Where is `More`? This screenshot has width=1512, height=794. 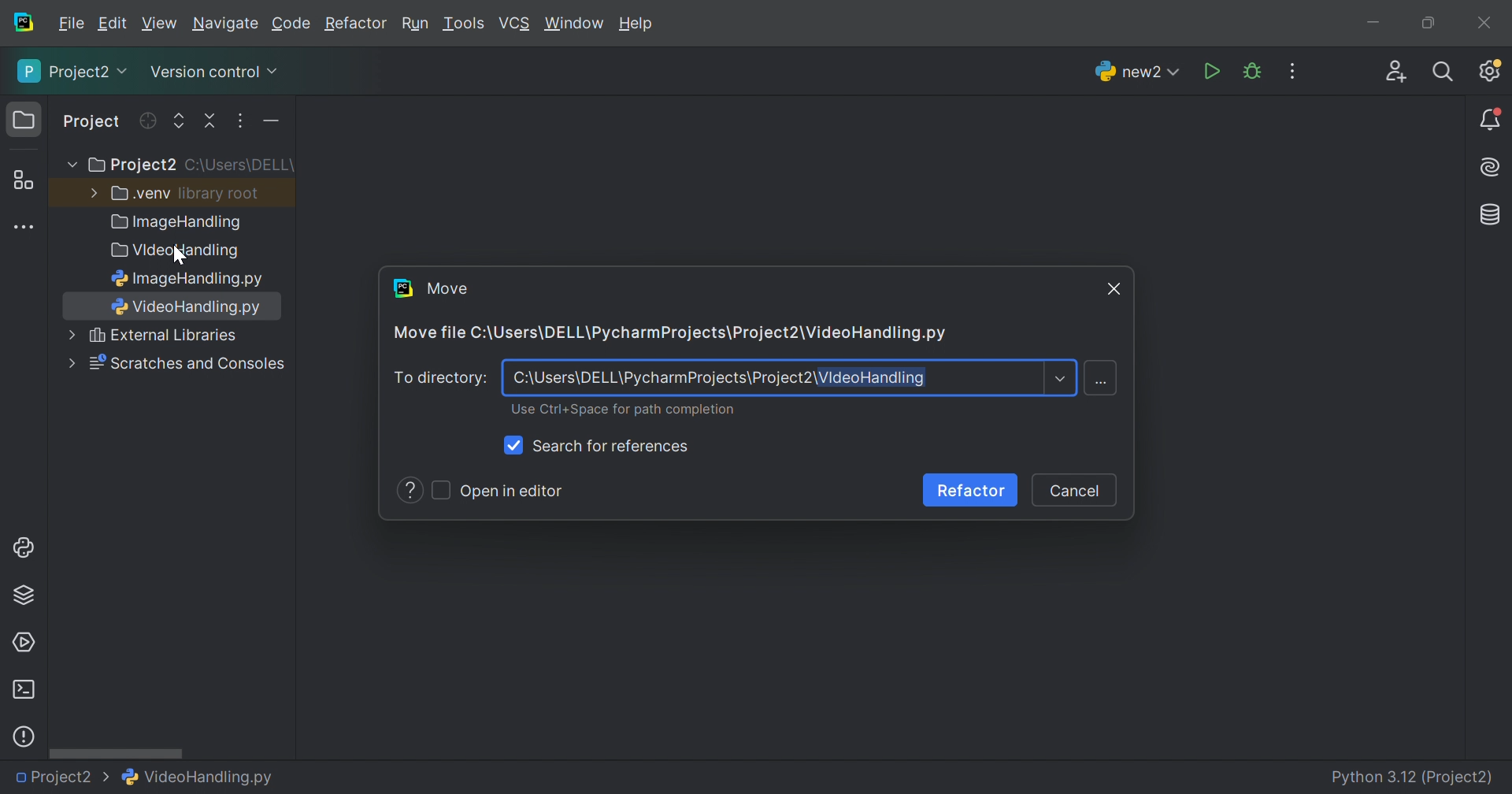 More is located at coordinates (91, 191).